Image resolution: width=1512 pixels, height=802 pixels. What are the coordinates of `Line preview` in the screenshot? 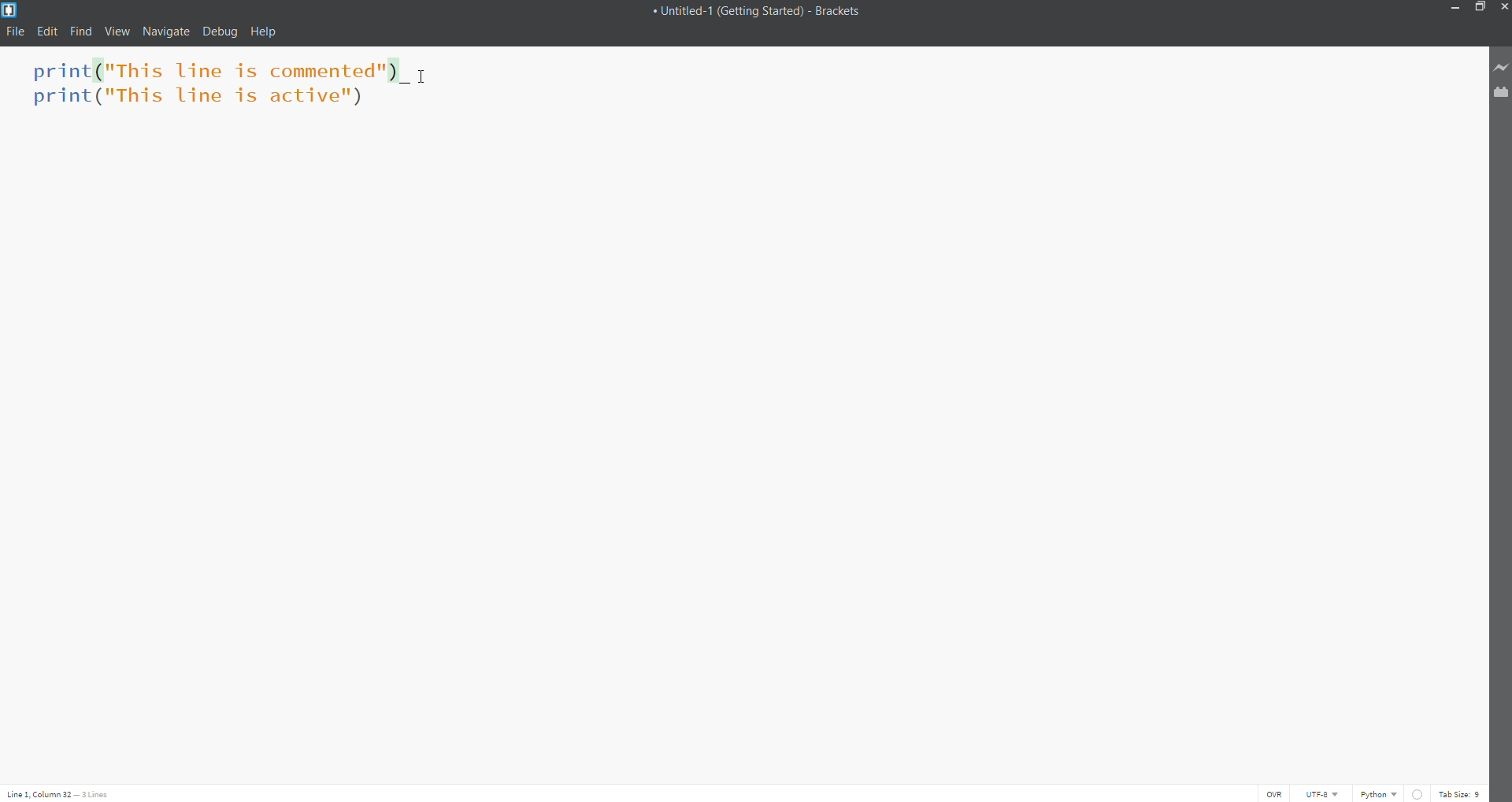 It's located at (1501, 68).